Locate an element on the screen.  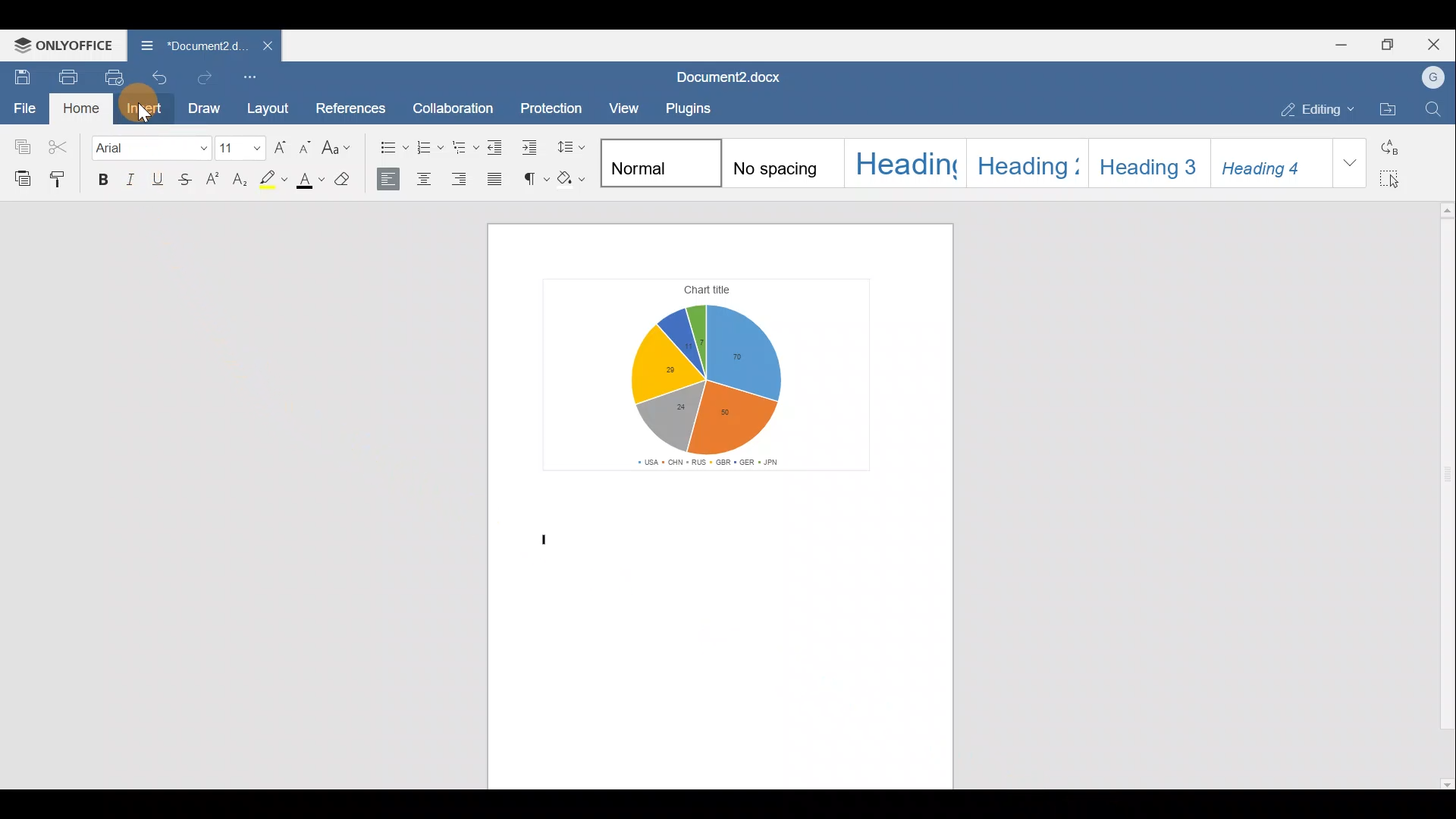
Draw is located at coordinates (209, 110).